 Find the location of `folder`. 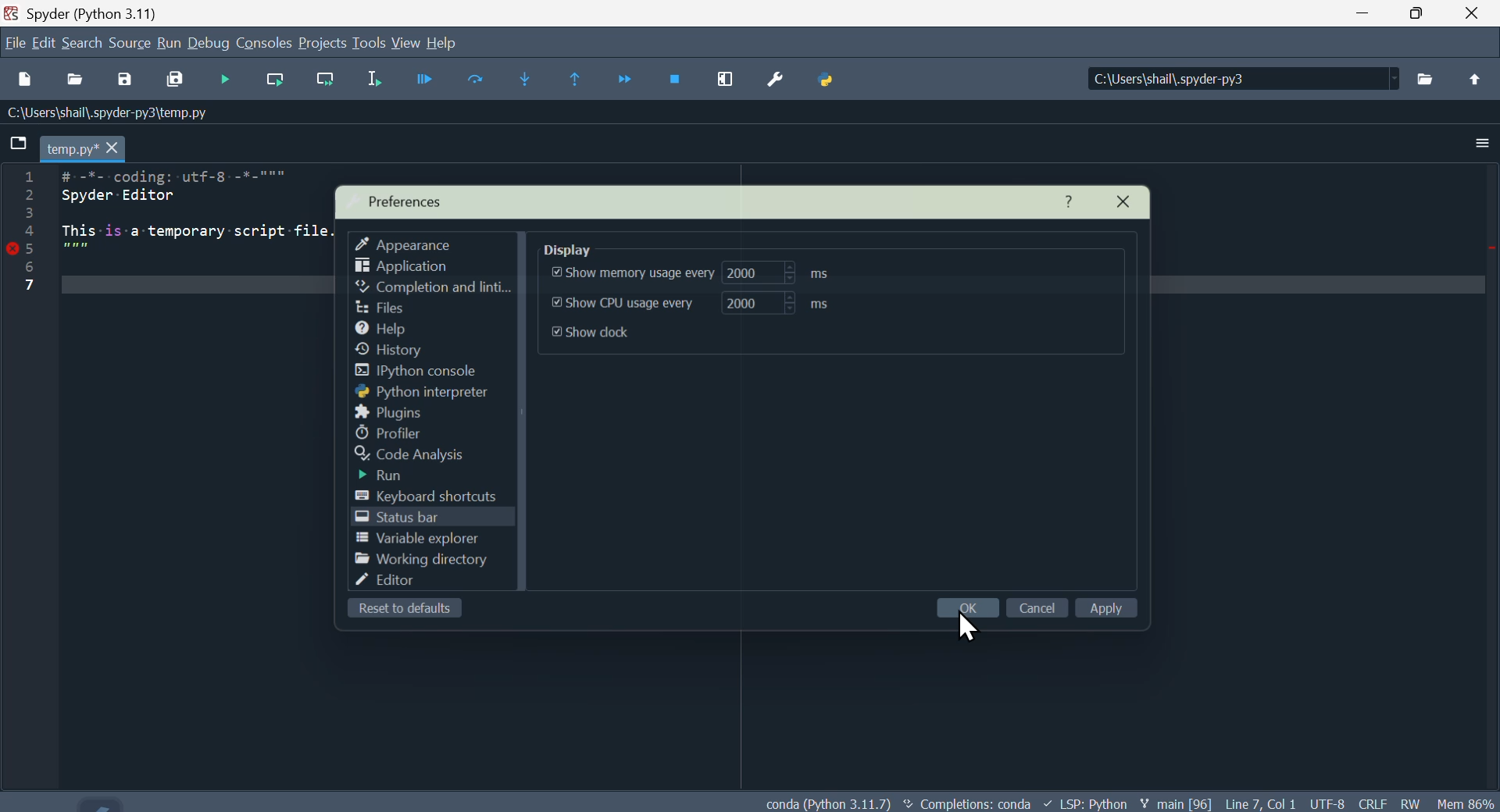

folder is located at coordinates (1430, 74).